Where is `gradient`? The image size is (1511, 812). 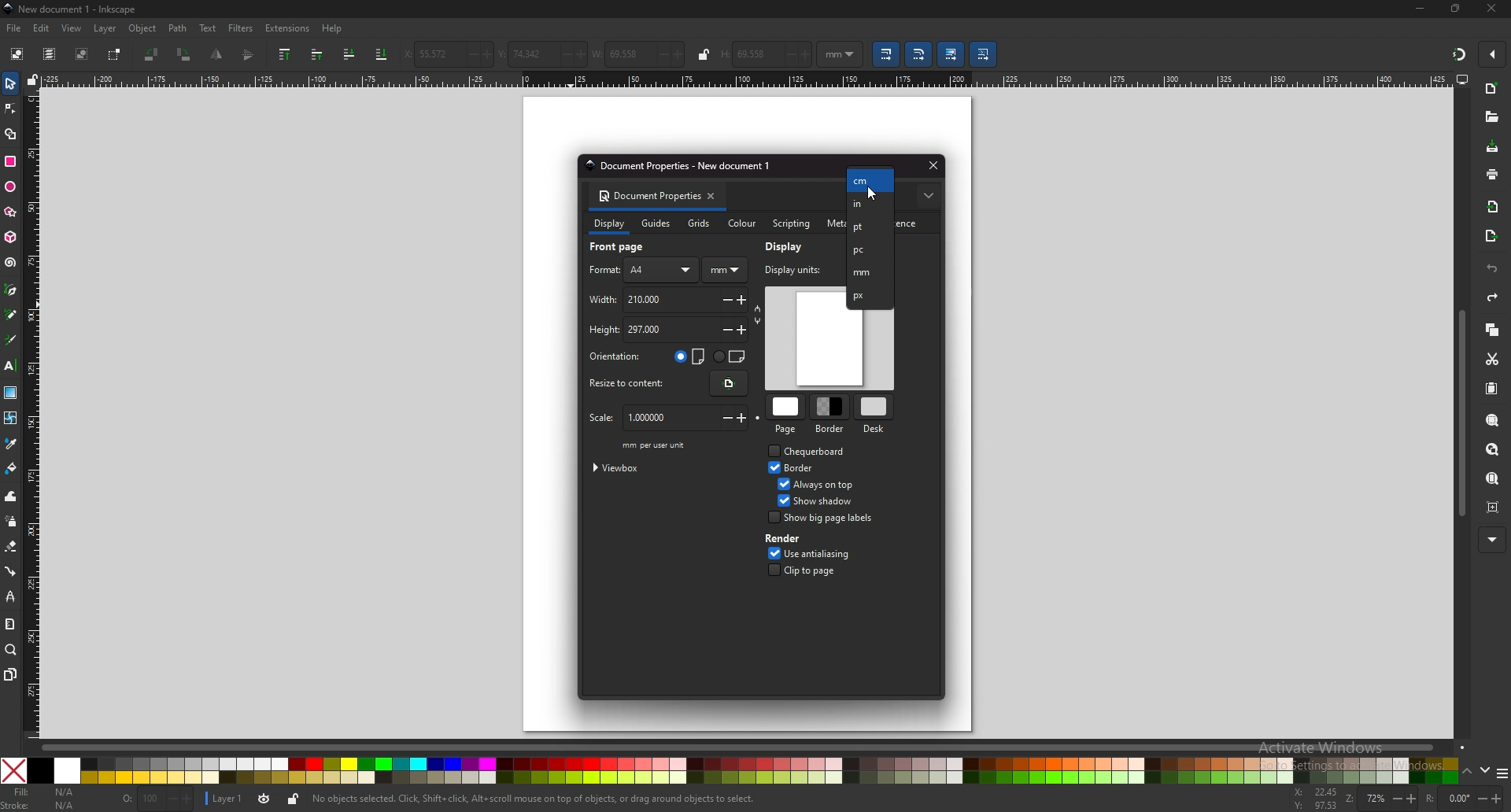 gradient is located at coordinates (10, 391).